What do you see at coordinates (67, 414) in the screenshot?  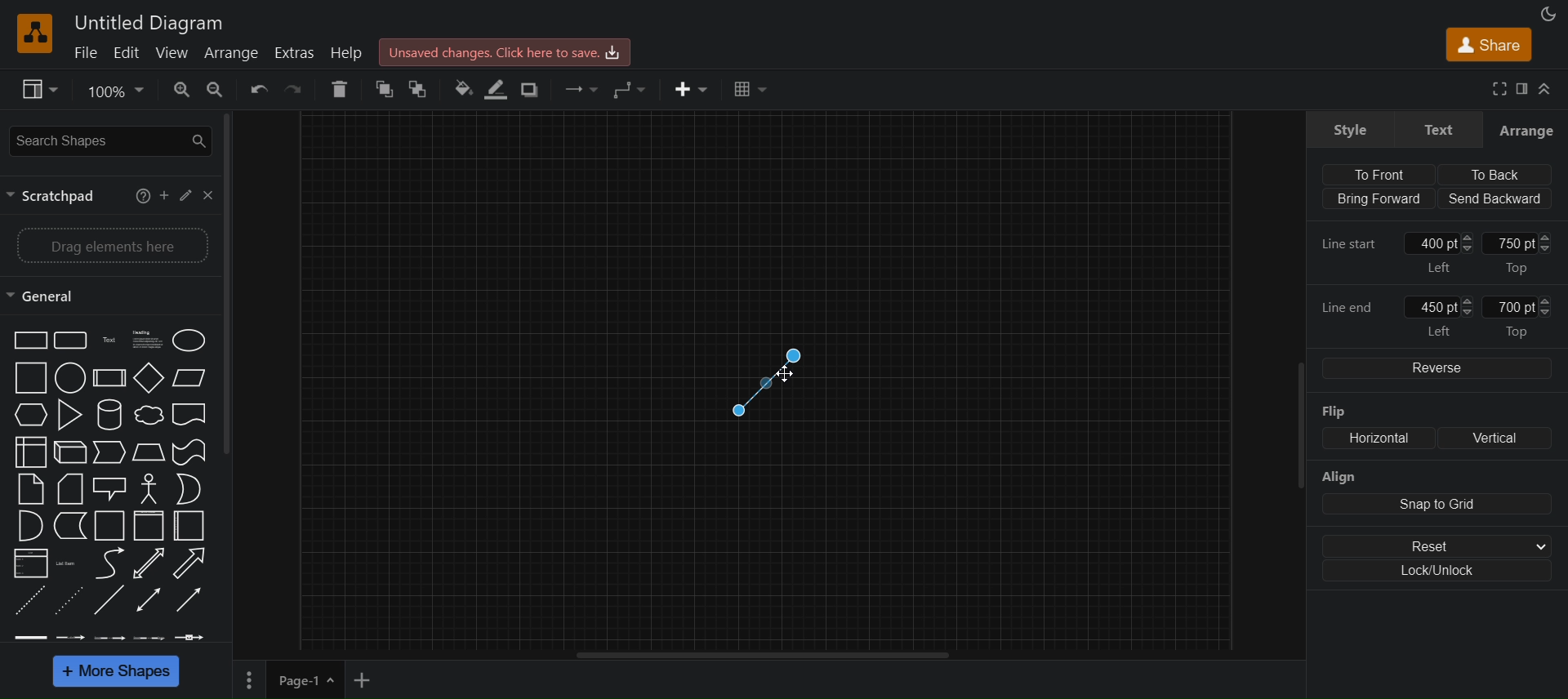 I see `Triangle` at bounding box center [67, 414].